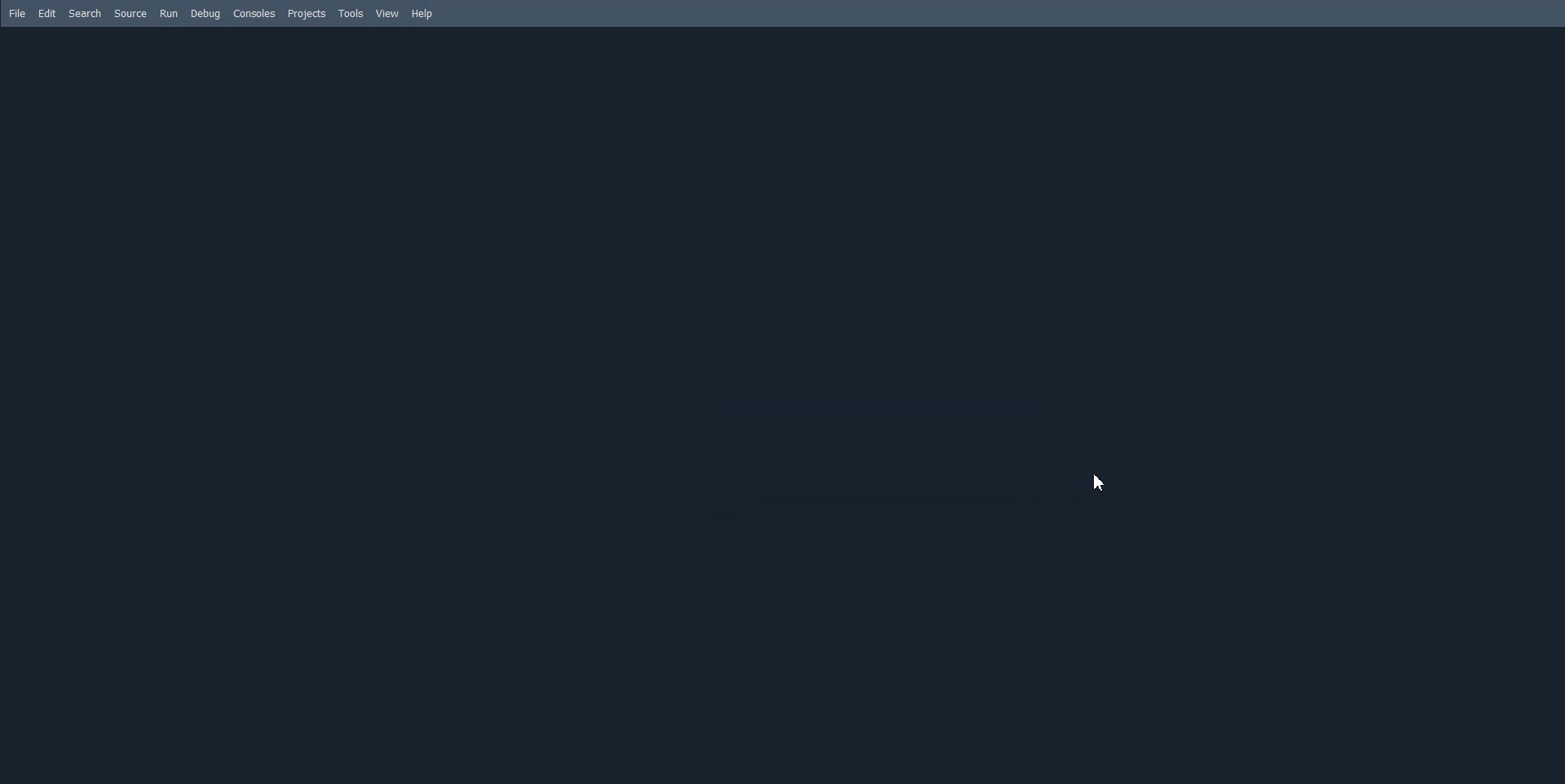 Image resolution: width=1565 pixels, height=784 pixels. Describe the element at coordinates (306, 13) in the screenshot. I see `Projects` at that location.